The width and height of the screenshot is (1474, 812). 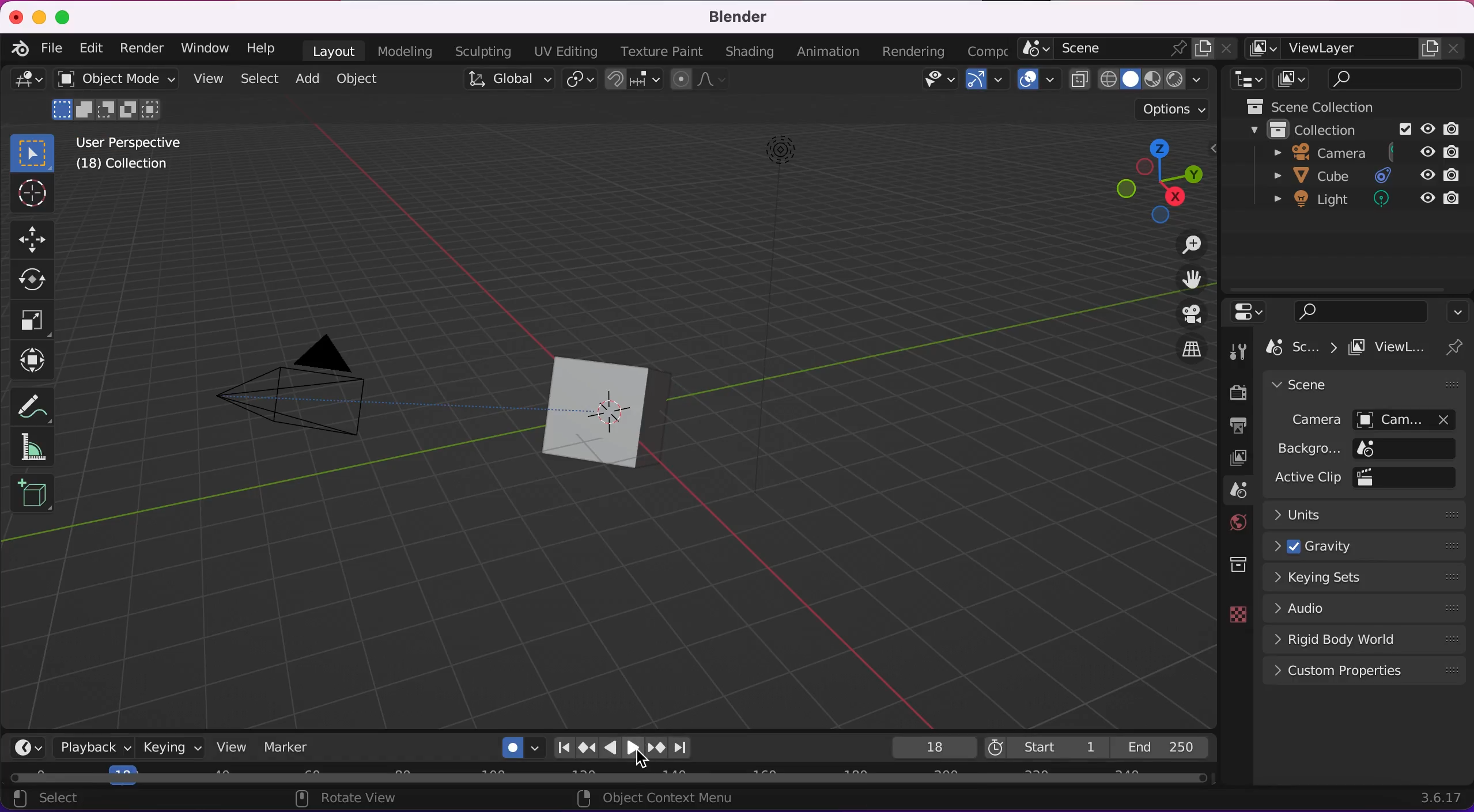 I want to click on view object types, so click(x=937, y=82).